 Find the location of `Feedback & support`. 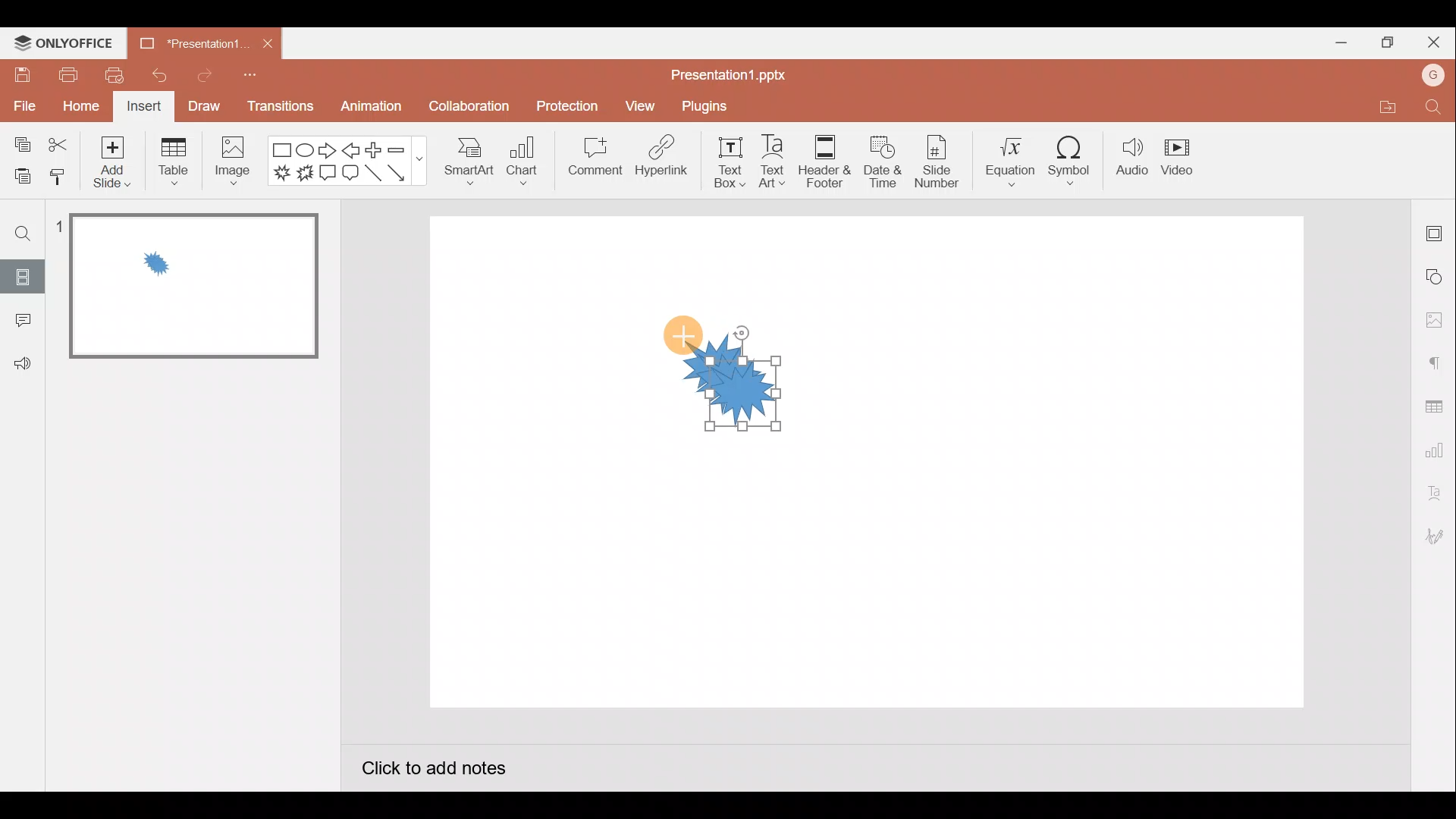

Feedback & support is located at coordinates (22, 365).